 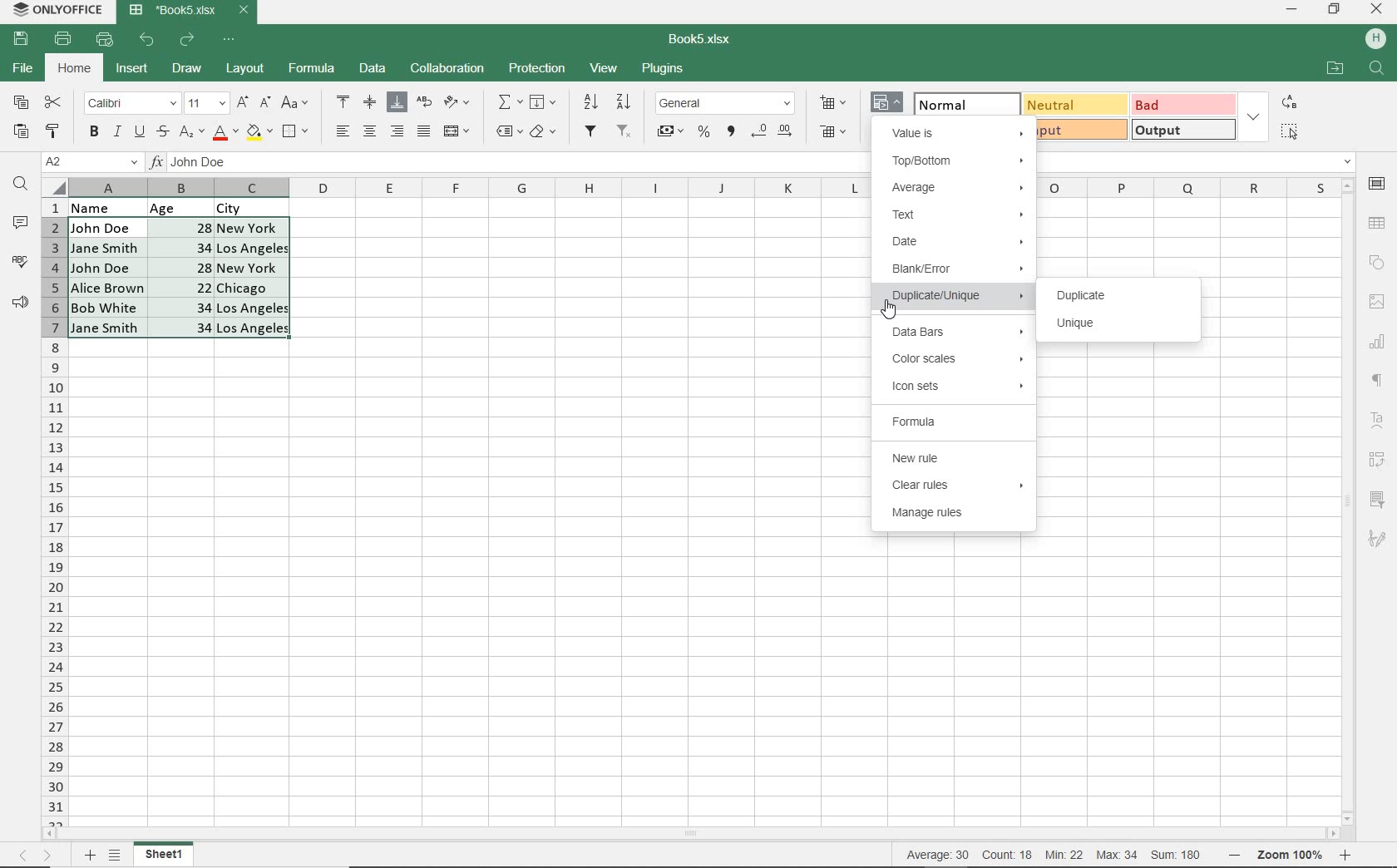 What do you see at coordinates (259, 131) in the screenshot?
I see `FILL COLOR` at bounding box center [259, 131].